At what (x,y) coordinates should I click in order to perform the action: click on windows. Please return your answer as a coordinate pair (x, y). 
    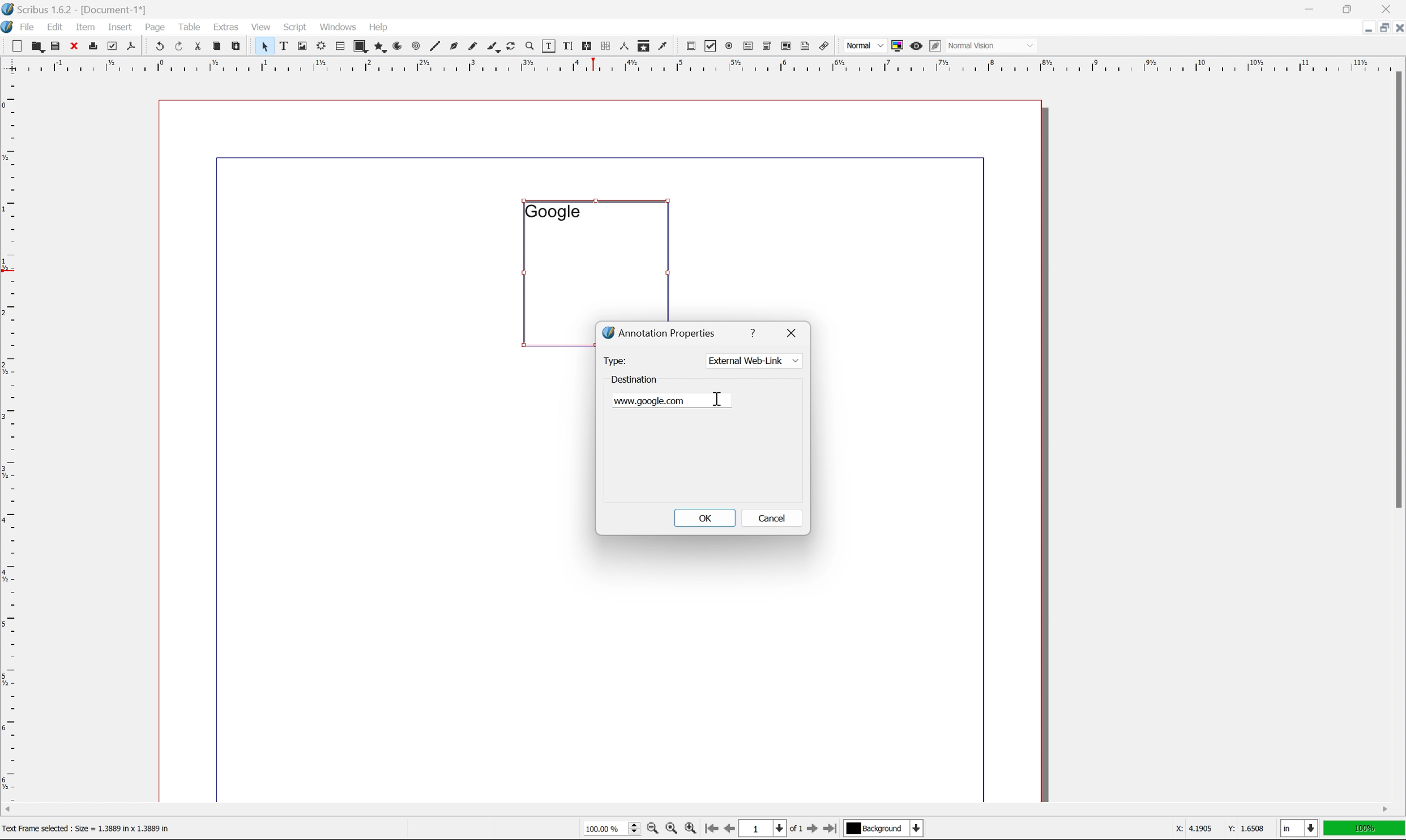
    Looking at the image, I should click on (340, 26).